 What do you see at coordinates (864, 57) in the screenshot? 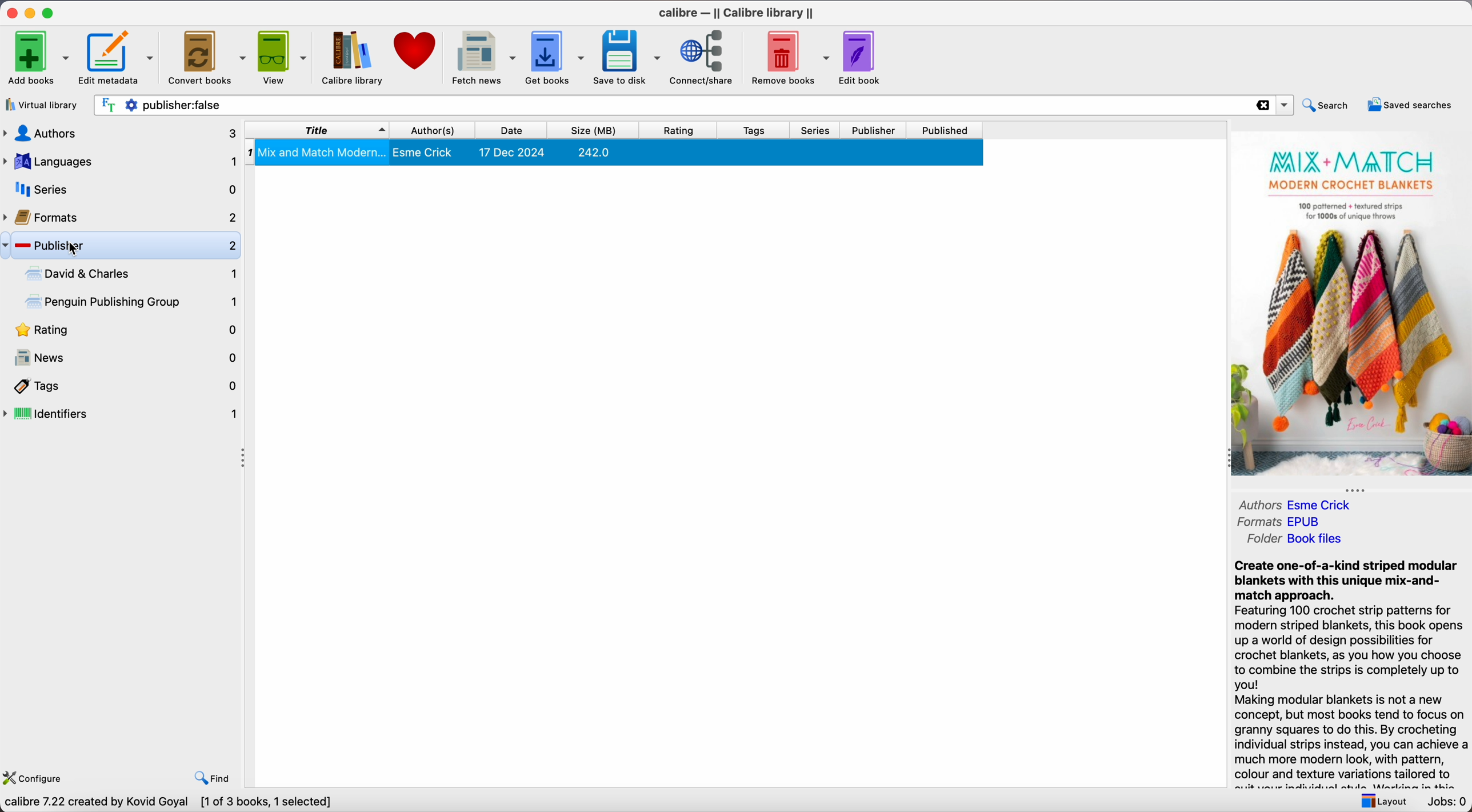
I see `edit book` at bounding box center [864, 57].